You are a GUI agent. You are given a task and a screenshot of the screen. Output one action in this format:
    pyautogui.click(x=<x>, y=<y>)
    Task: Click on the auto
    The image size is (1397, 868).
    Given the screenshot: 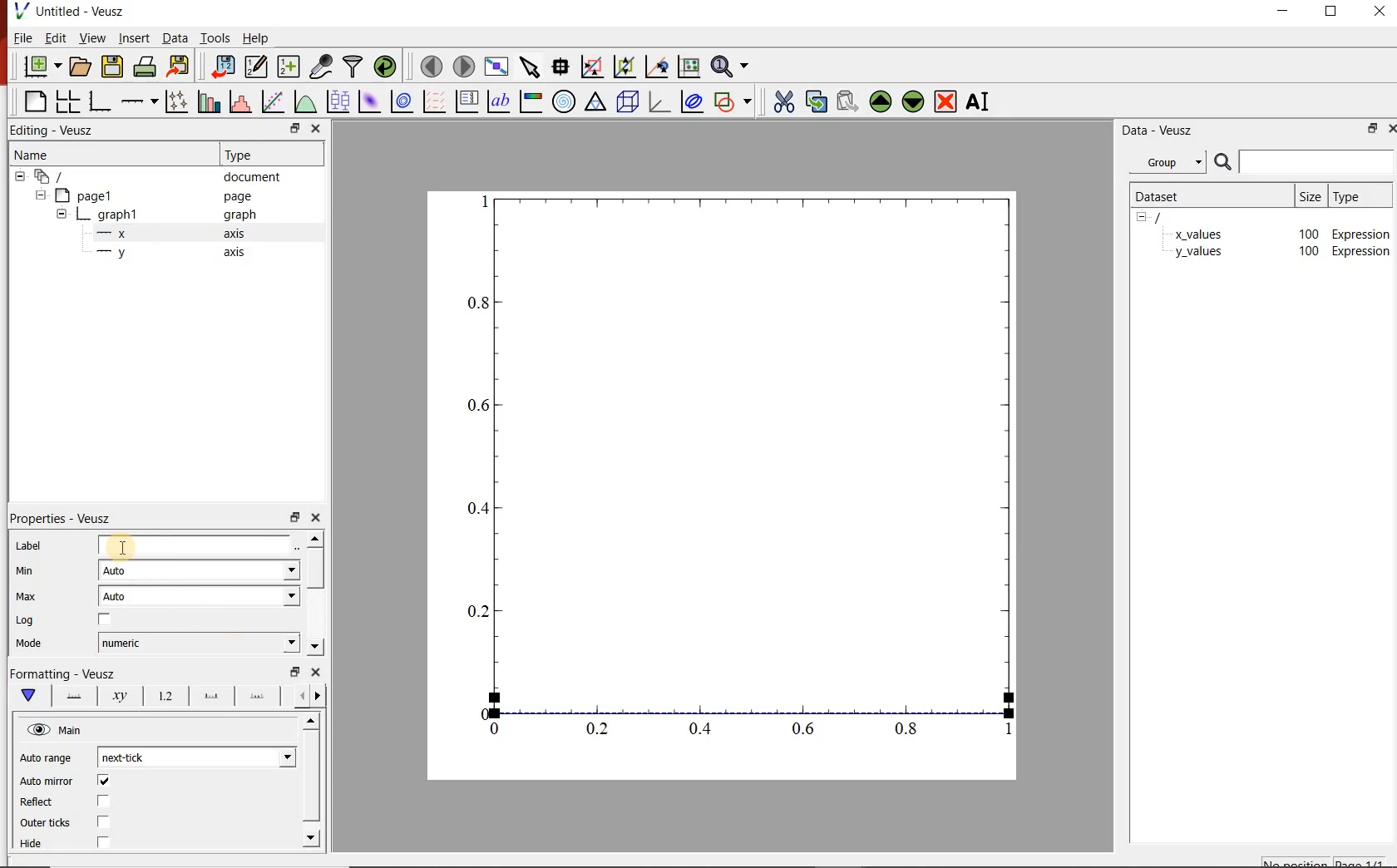 What is the action you would take?
    pyautogui.click(x=200, y=570)
    